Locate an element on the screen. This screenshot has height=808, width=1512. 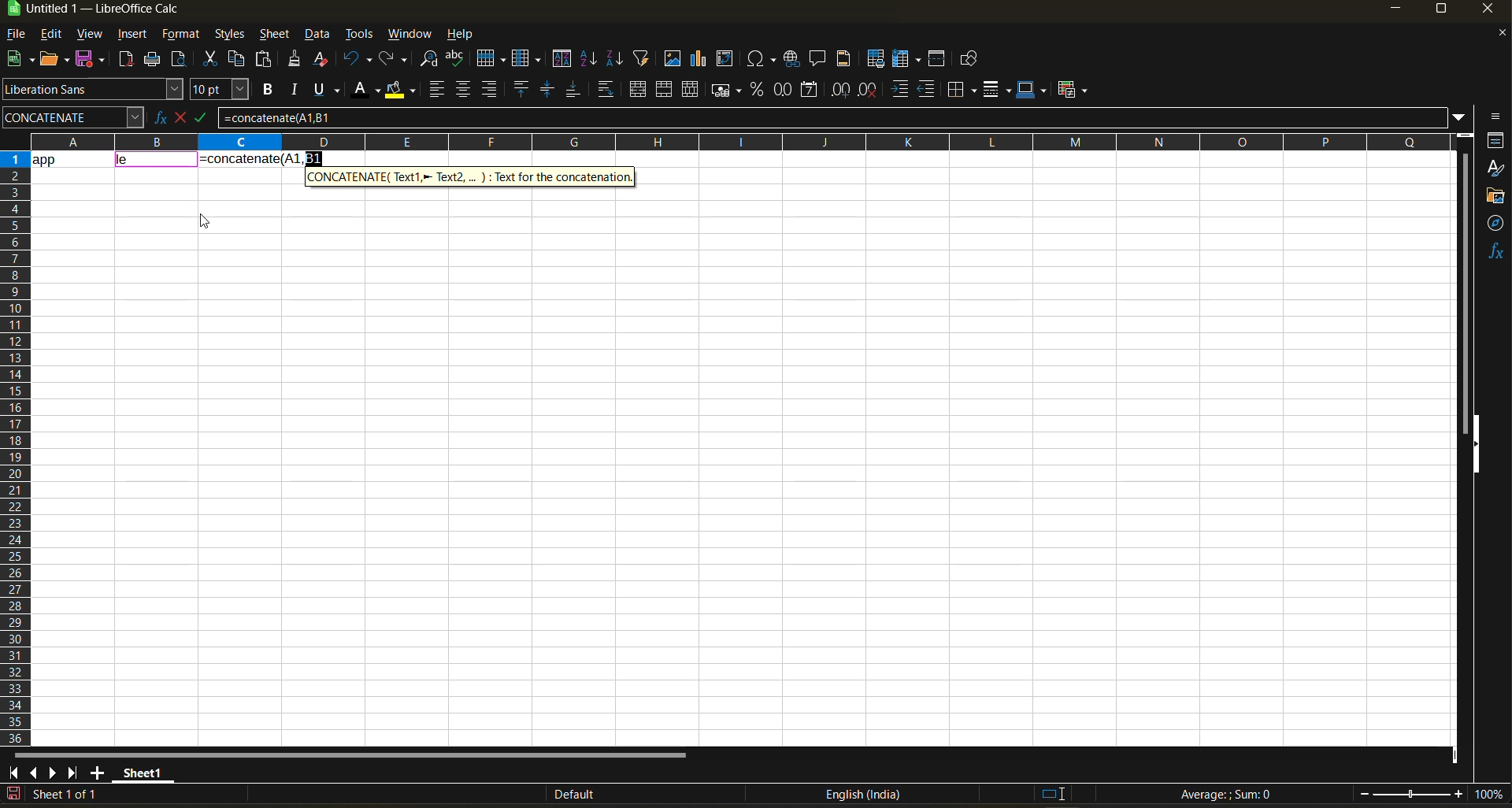
insert is located at coordinates (132, 35).